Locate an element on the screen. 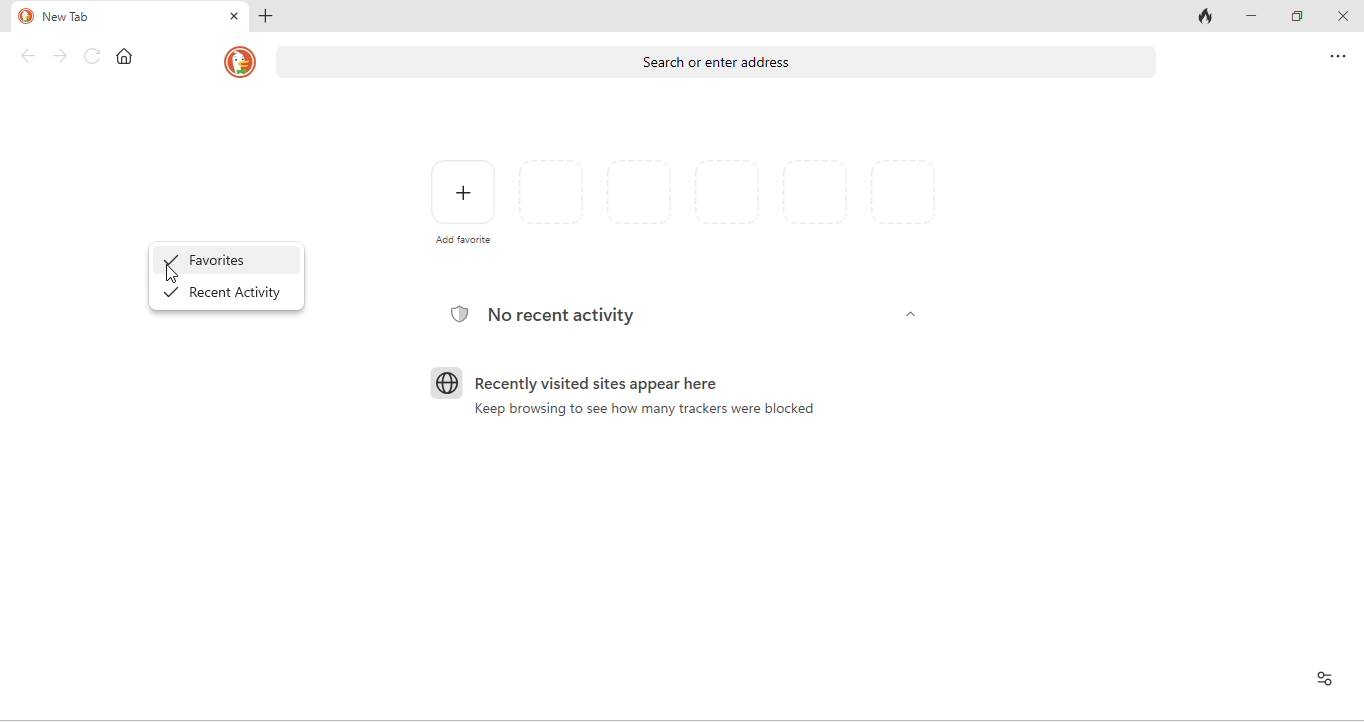  close is located at coordinates (1344, 19).